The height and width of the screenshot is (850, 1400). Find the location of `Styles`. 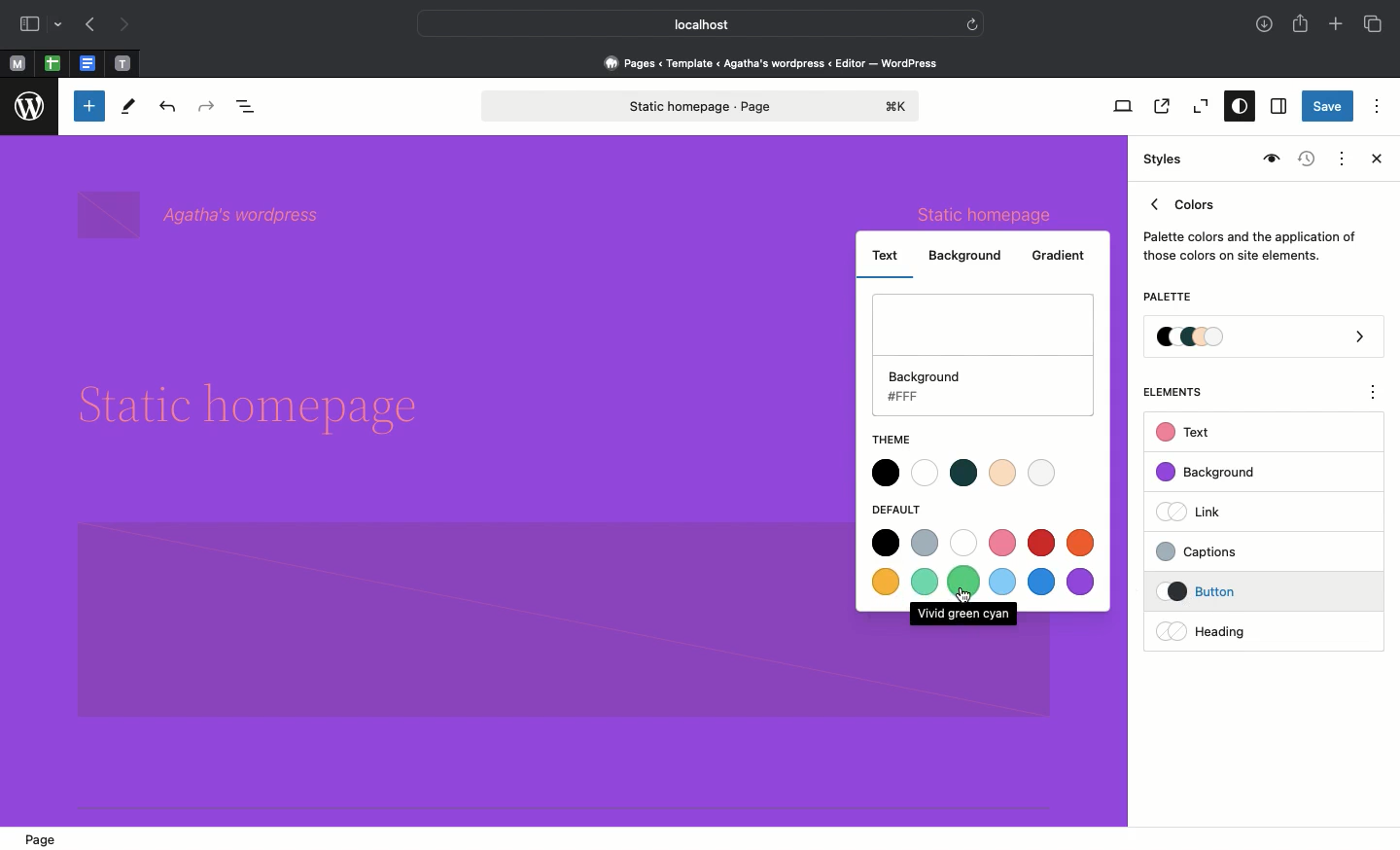

Styles is located at coordinates (1165, 159).